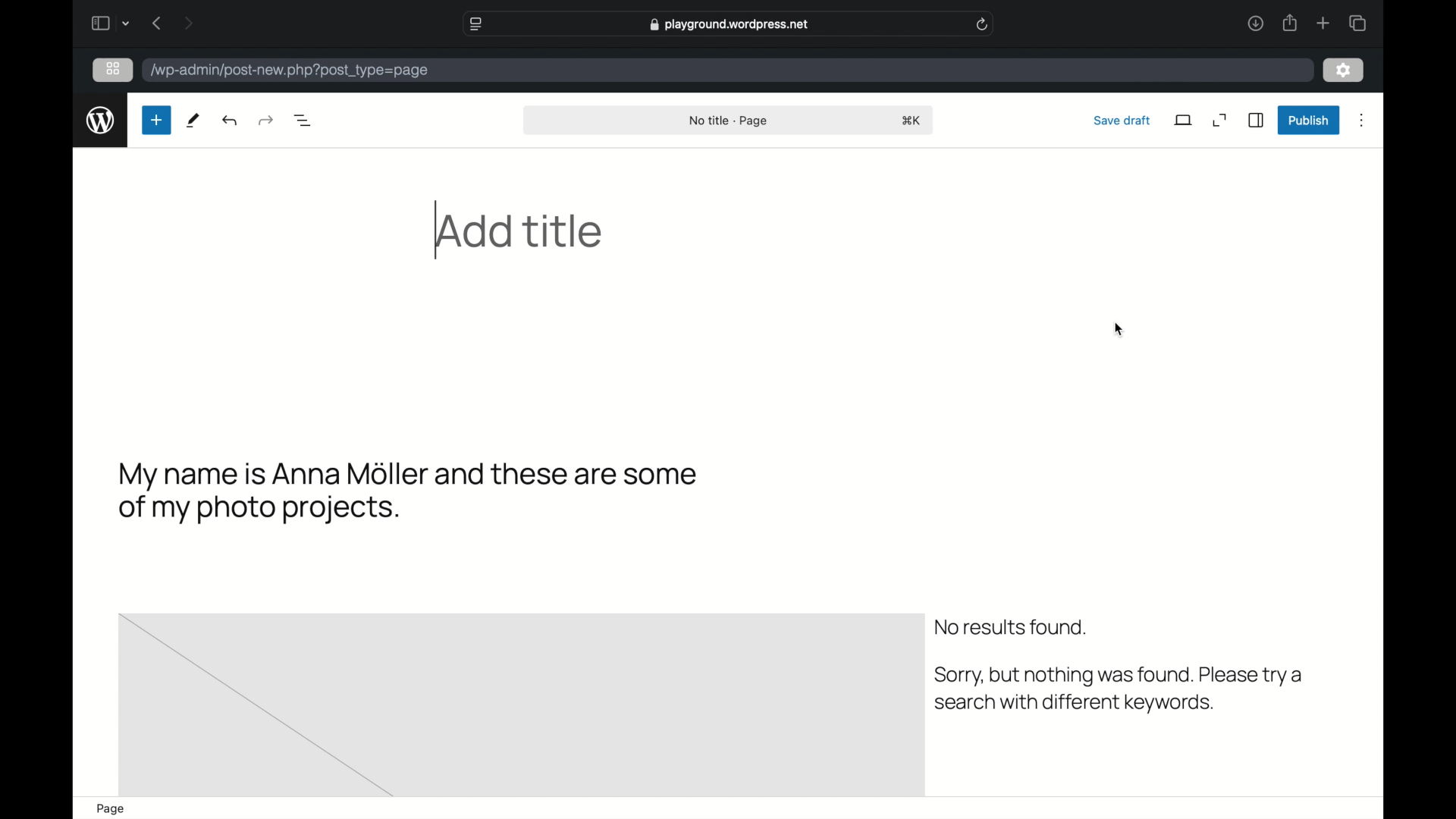 Image resolution: width=1456 pixels, height=819 pixels. What do you see at coordinates (1123, 120) in the screenshot?
I see `save draft` at bounding box center [1123, 120].